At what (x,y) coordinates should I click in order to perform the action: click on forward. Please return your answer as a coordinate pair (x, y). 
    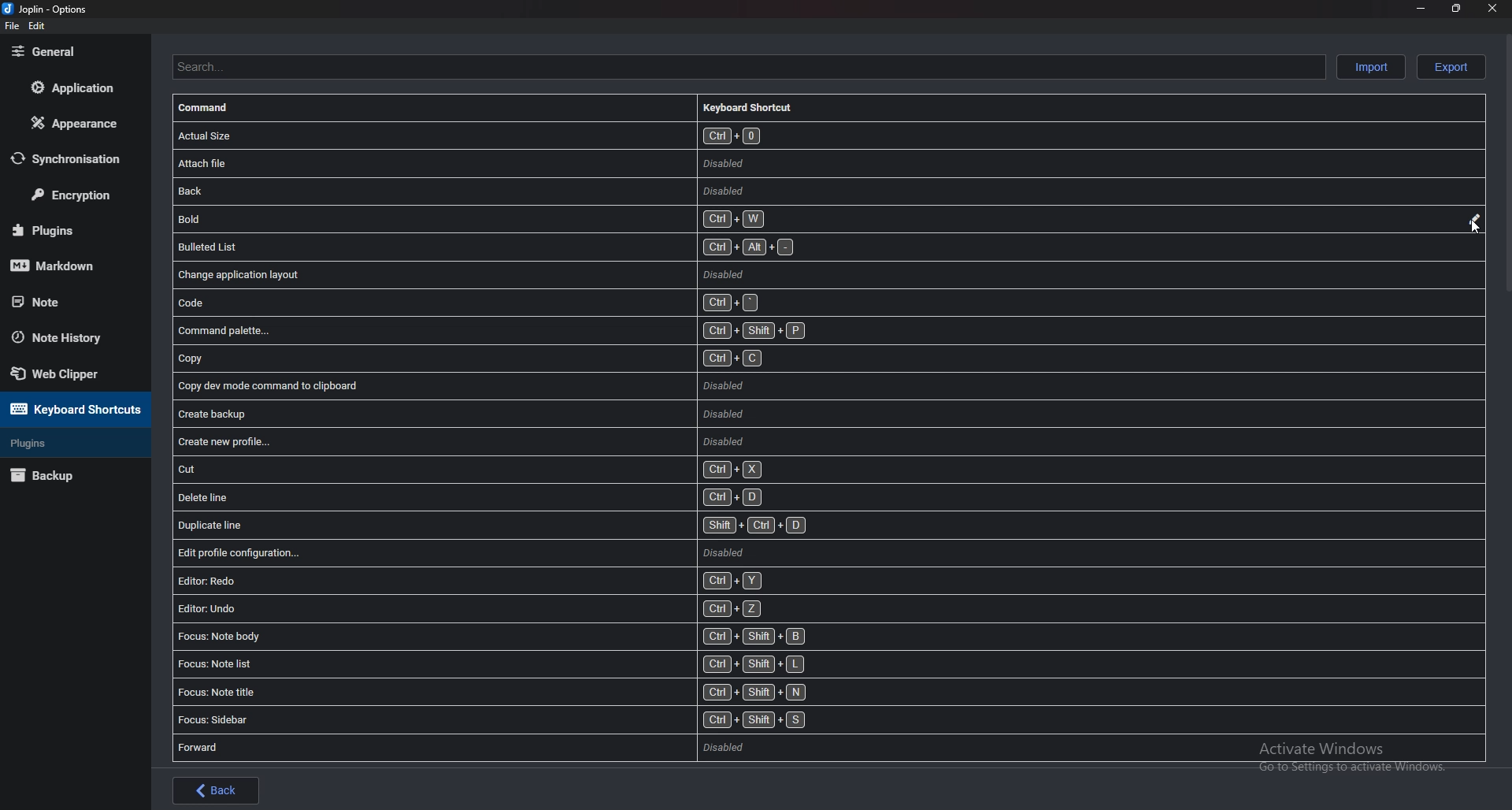
    Looking at the image, I should click on (528, 748).